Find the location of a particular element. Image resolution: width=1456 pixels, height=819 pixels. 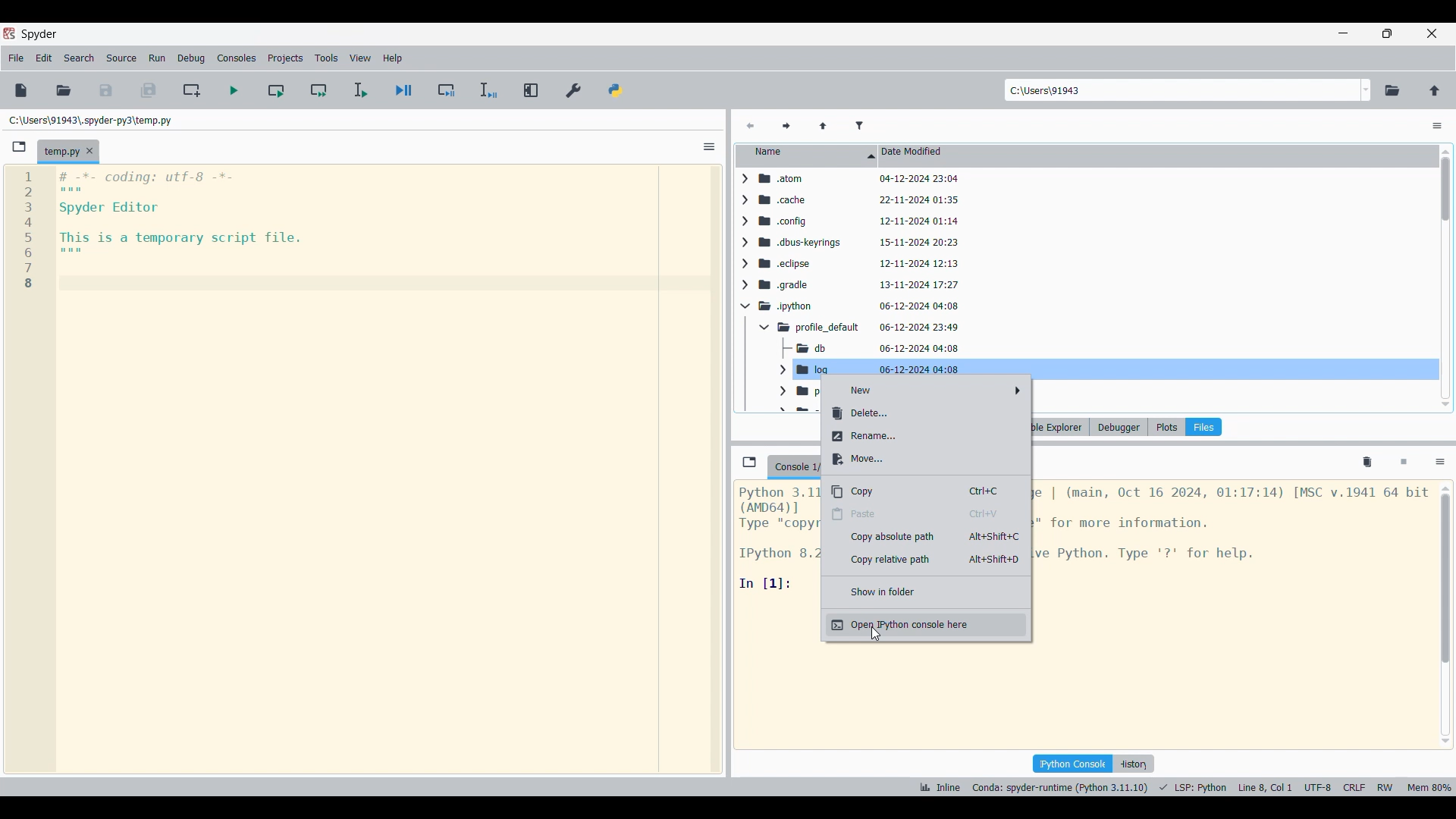

Interrupt kernel is located at coordinates (1404, 463).